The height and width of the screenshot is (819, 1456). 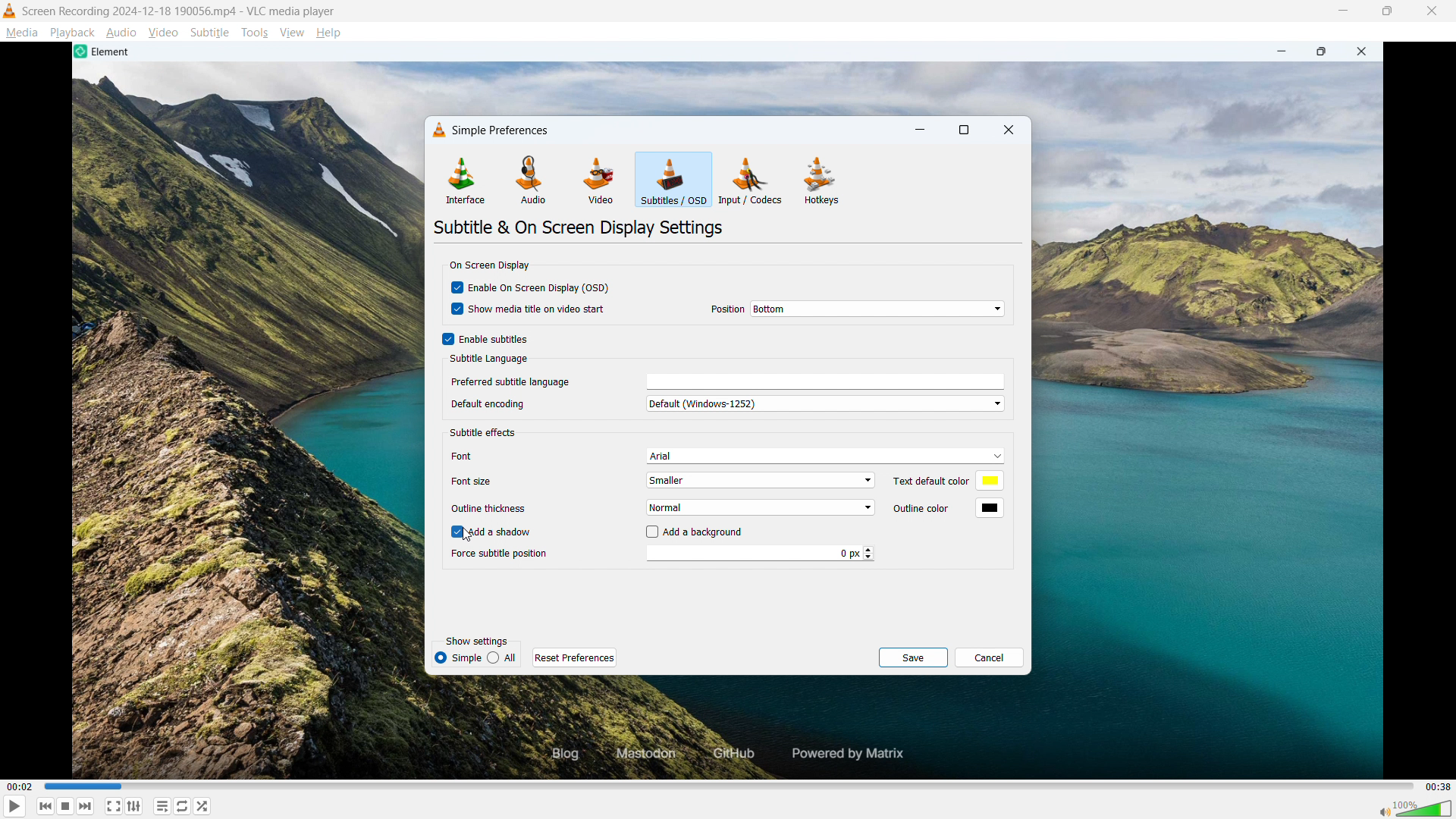 What do you see at coordinates (642, 754) in the screenshot?
I see `Mastodon` at bounding box center [642, 754].